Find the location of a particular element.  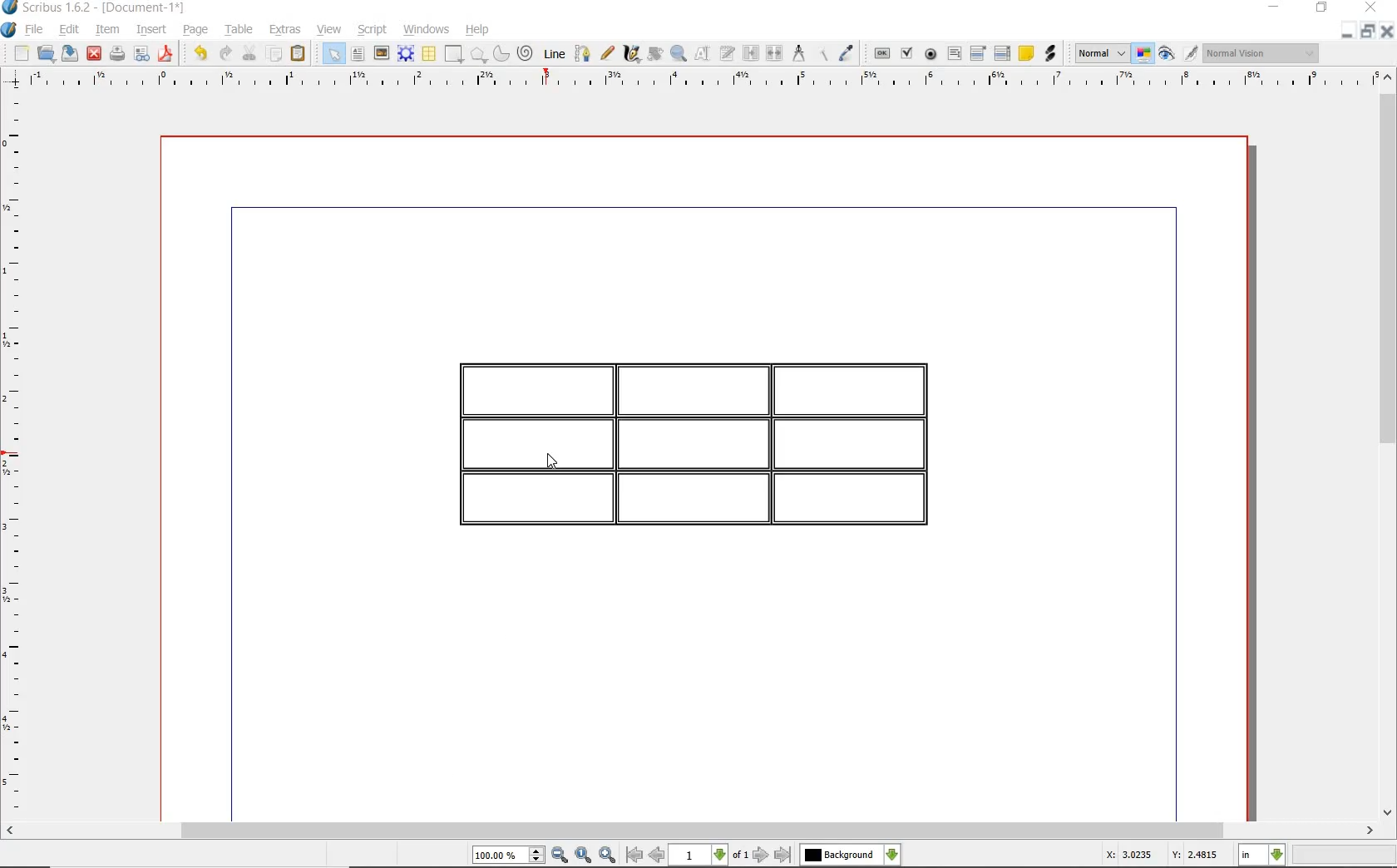

zoom factor is located at coordinates (1344, 856).